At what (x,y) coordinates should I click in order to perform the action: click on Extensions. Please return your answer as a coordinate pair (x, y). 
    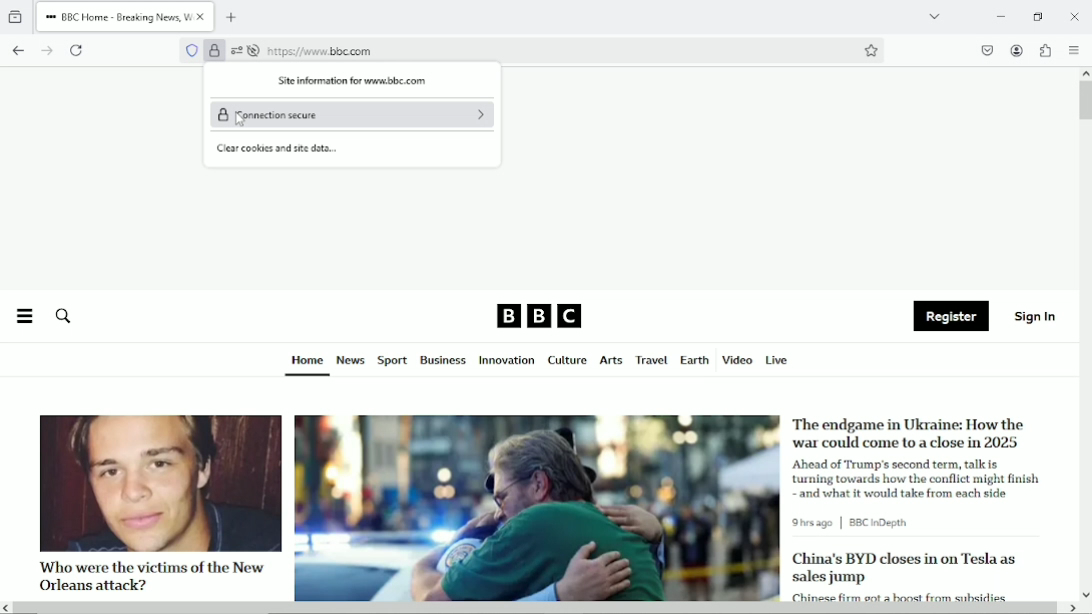
    Looking at the image, I should click on (1044, 50).